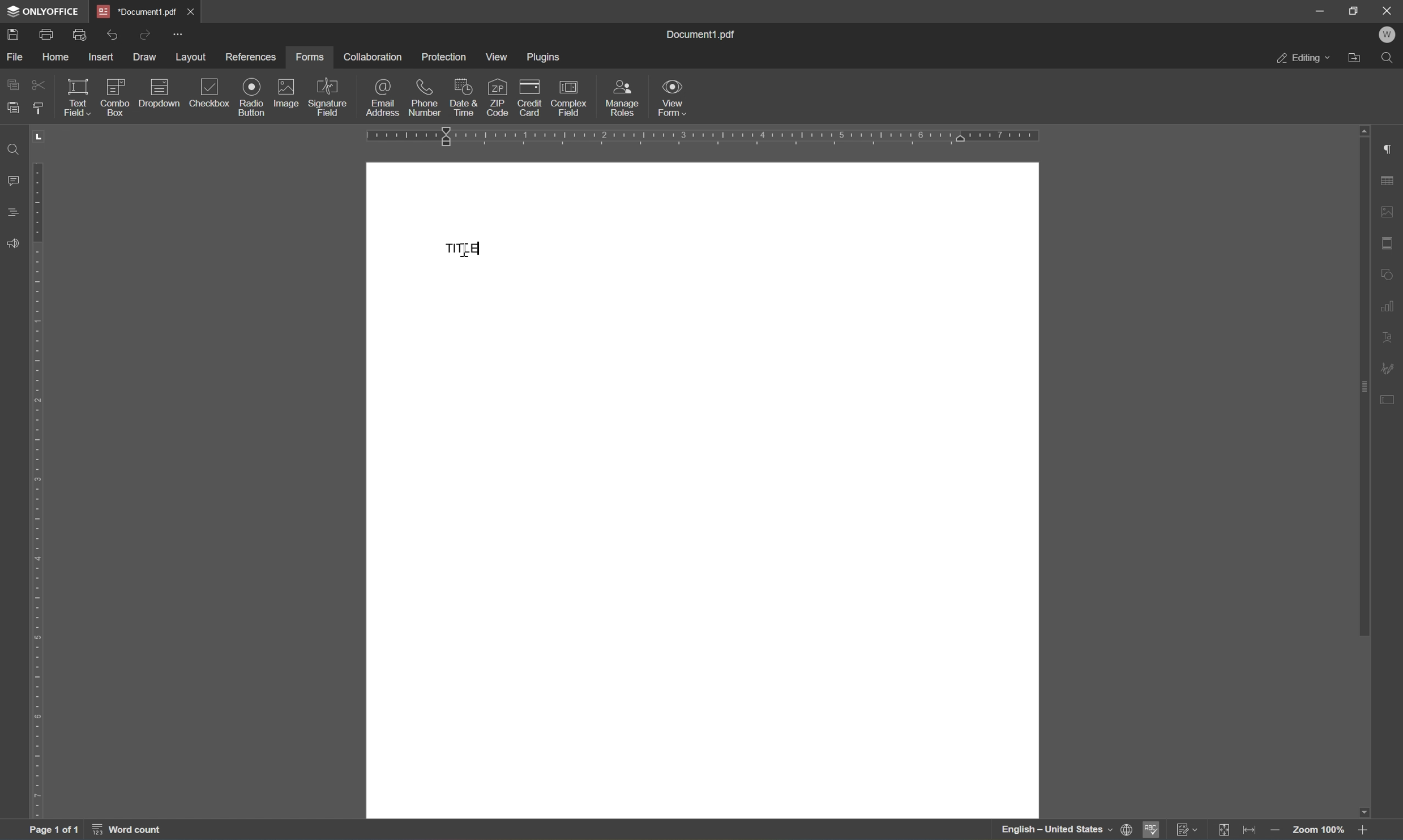 The image size is (1403, 840). What do you see at coordinates (190, 11) in the screenshot?
I see `close` at bounding box center [190, 11].